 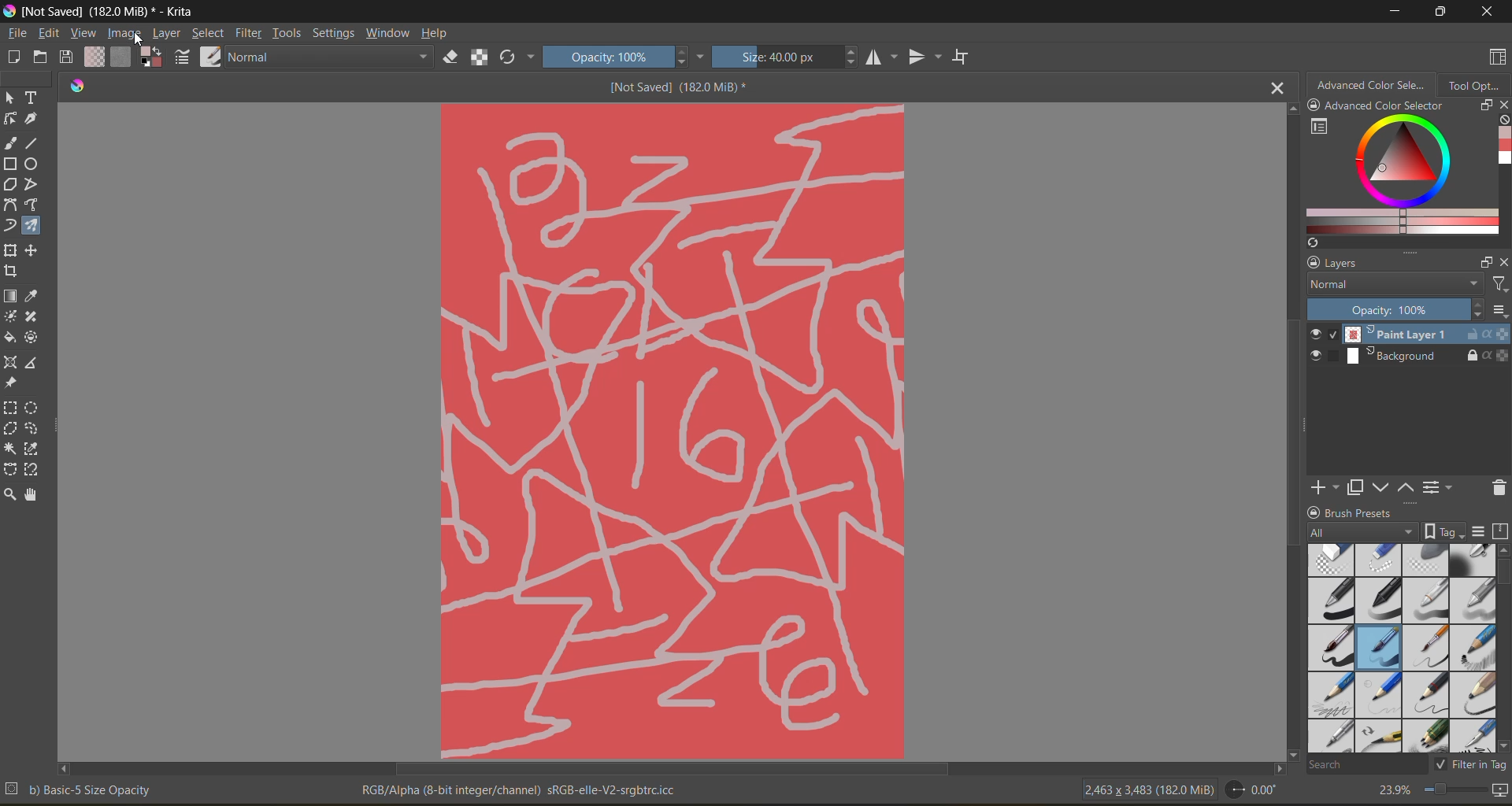 What do you see at coordinates (480, 61) in the screenshot?
I see `preserve alpha` at bounding box center [480, 61].